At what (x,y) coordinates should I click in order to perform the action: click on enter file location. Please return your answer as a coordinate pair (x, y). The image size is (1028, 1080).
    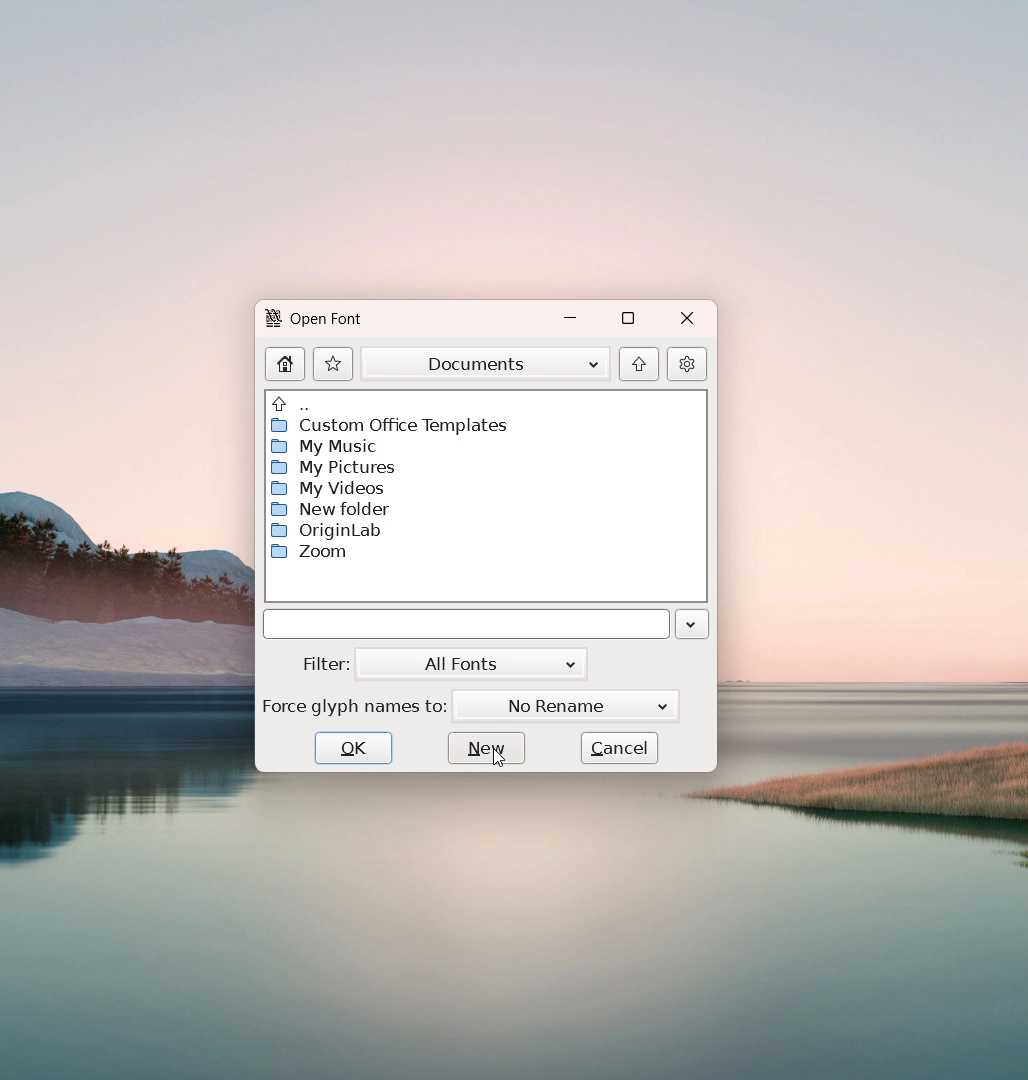
    Looking at the image, I should click on (466, 625).